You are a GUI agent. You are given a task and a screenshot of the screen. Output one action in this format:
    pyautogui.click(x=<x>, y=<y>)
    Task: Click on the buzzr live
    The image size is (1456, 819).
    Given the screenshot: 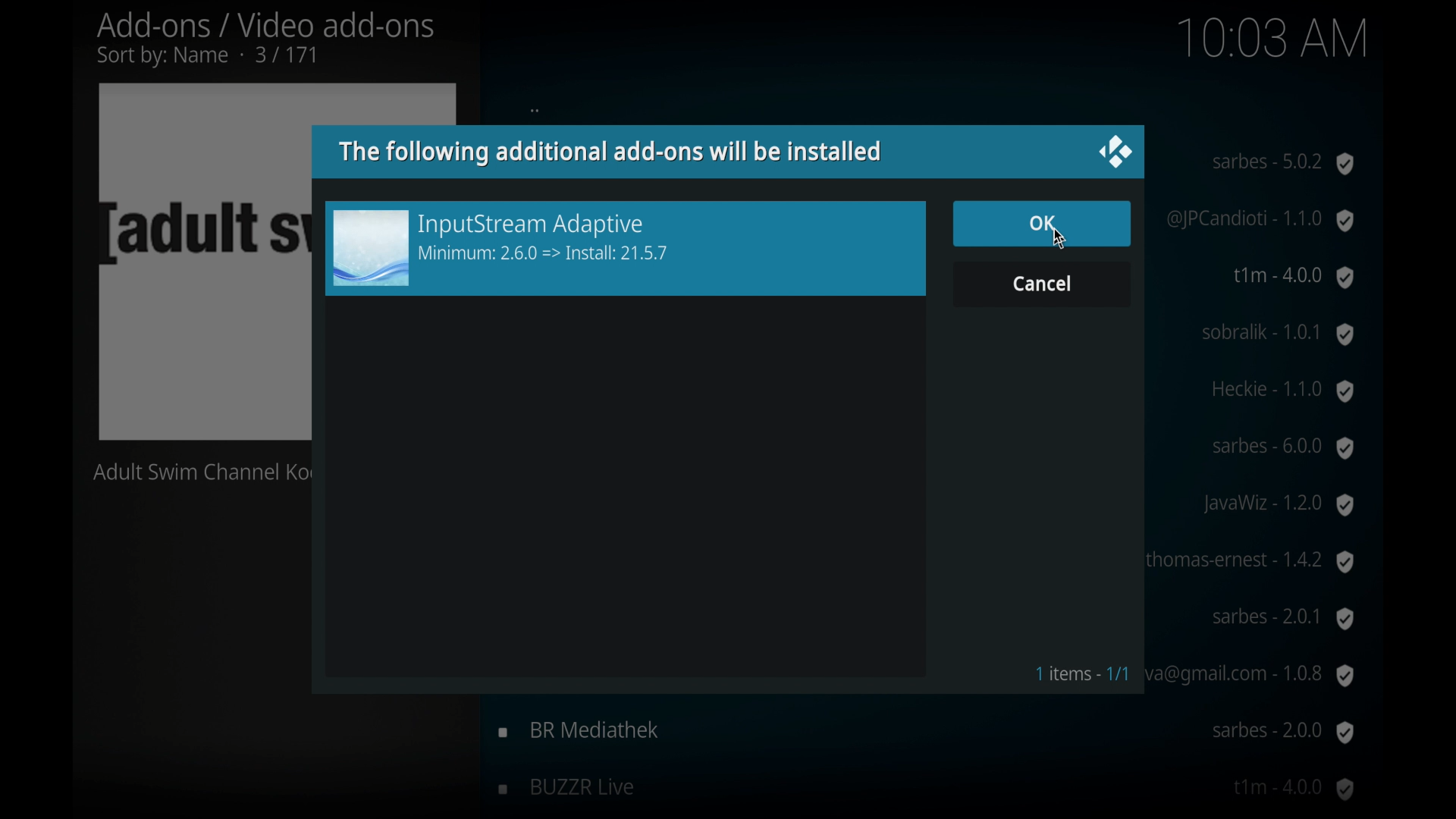 What is the action you would take?
    pyautogui.click(x=927, y=790)
    